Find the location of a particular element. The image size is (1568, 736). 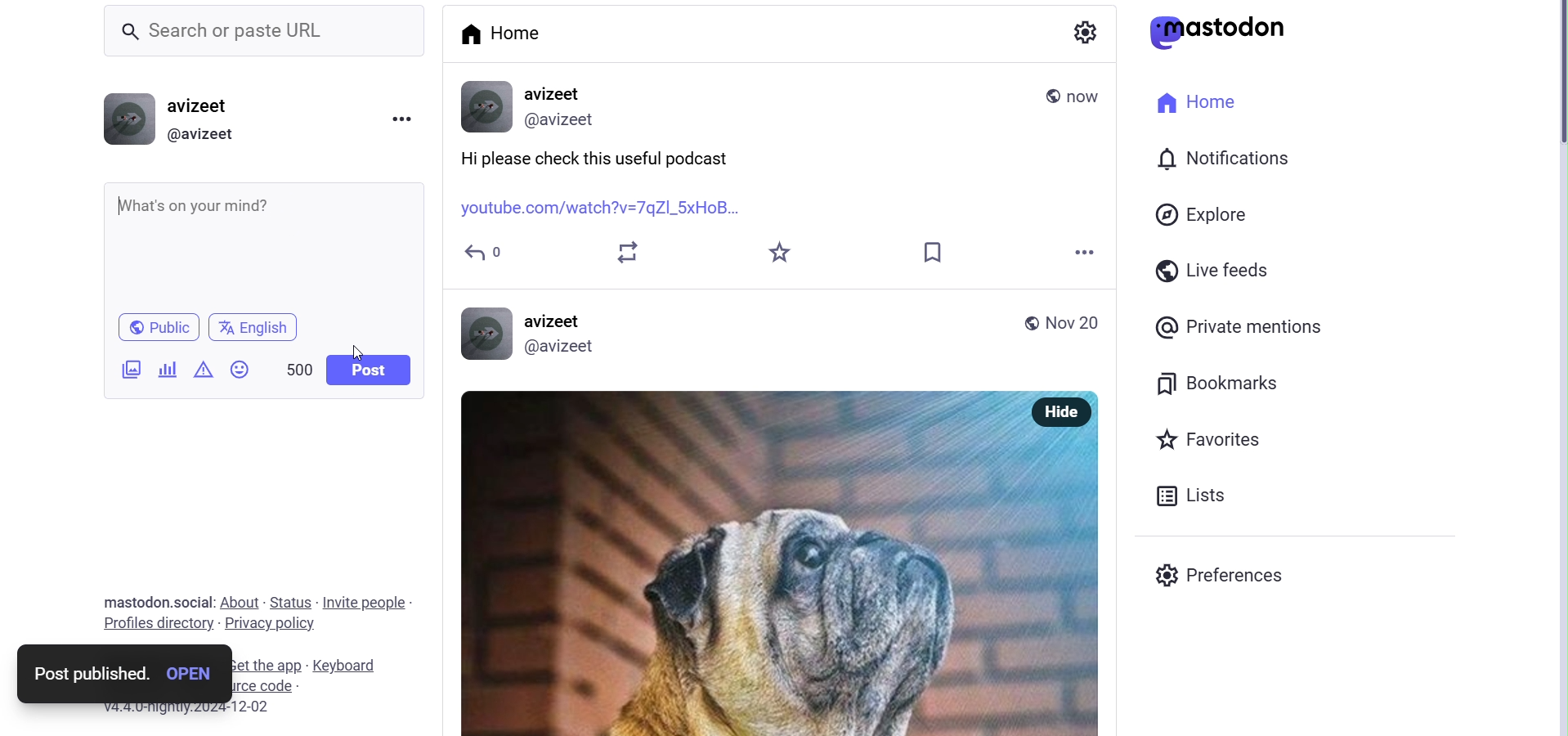

public is located at coordinates (155, 326).